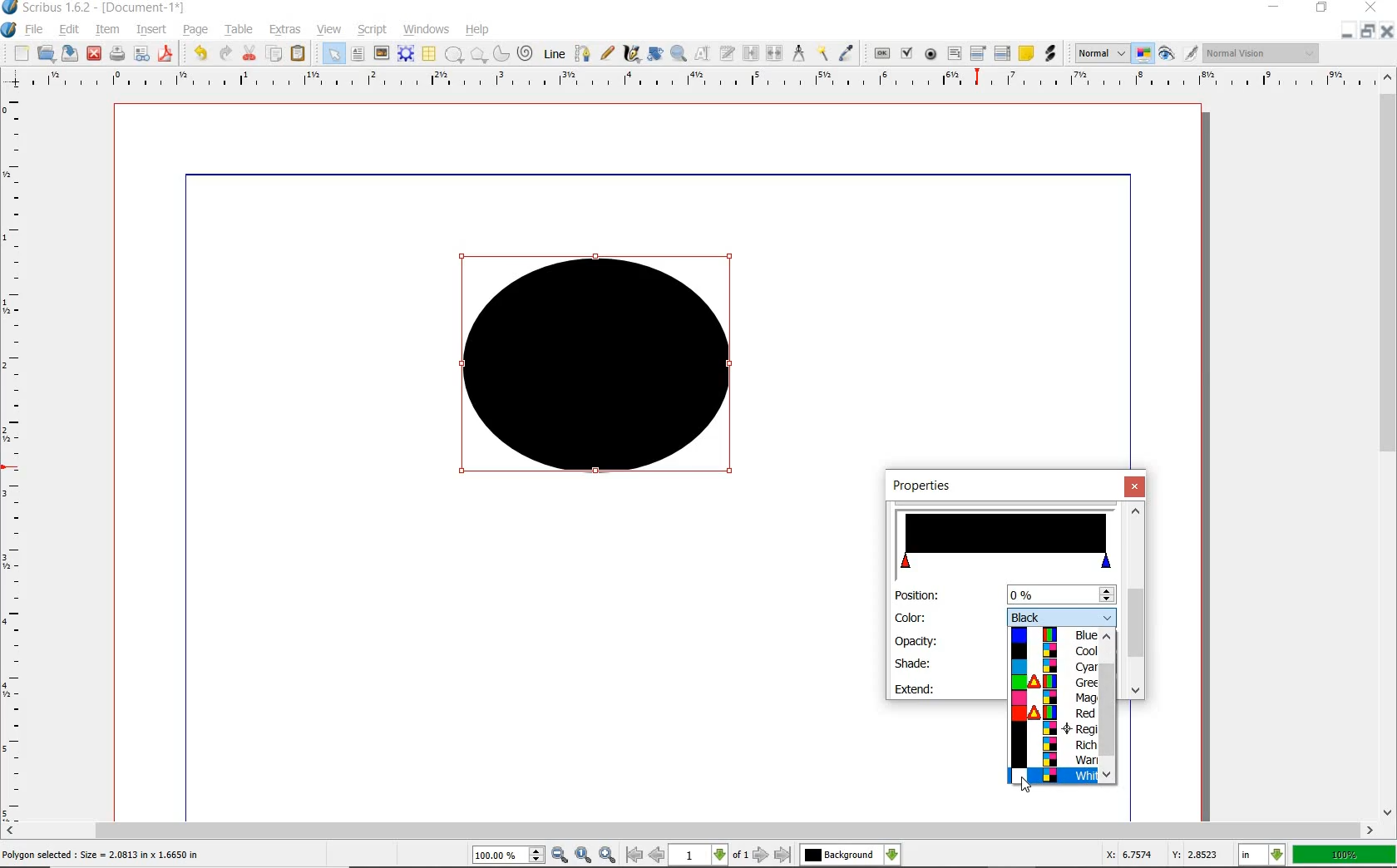  I want to click on SYSTEM LOGO, so click(9, 30).